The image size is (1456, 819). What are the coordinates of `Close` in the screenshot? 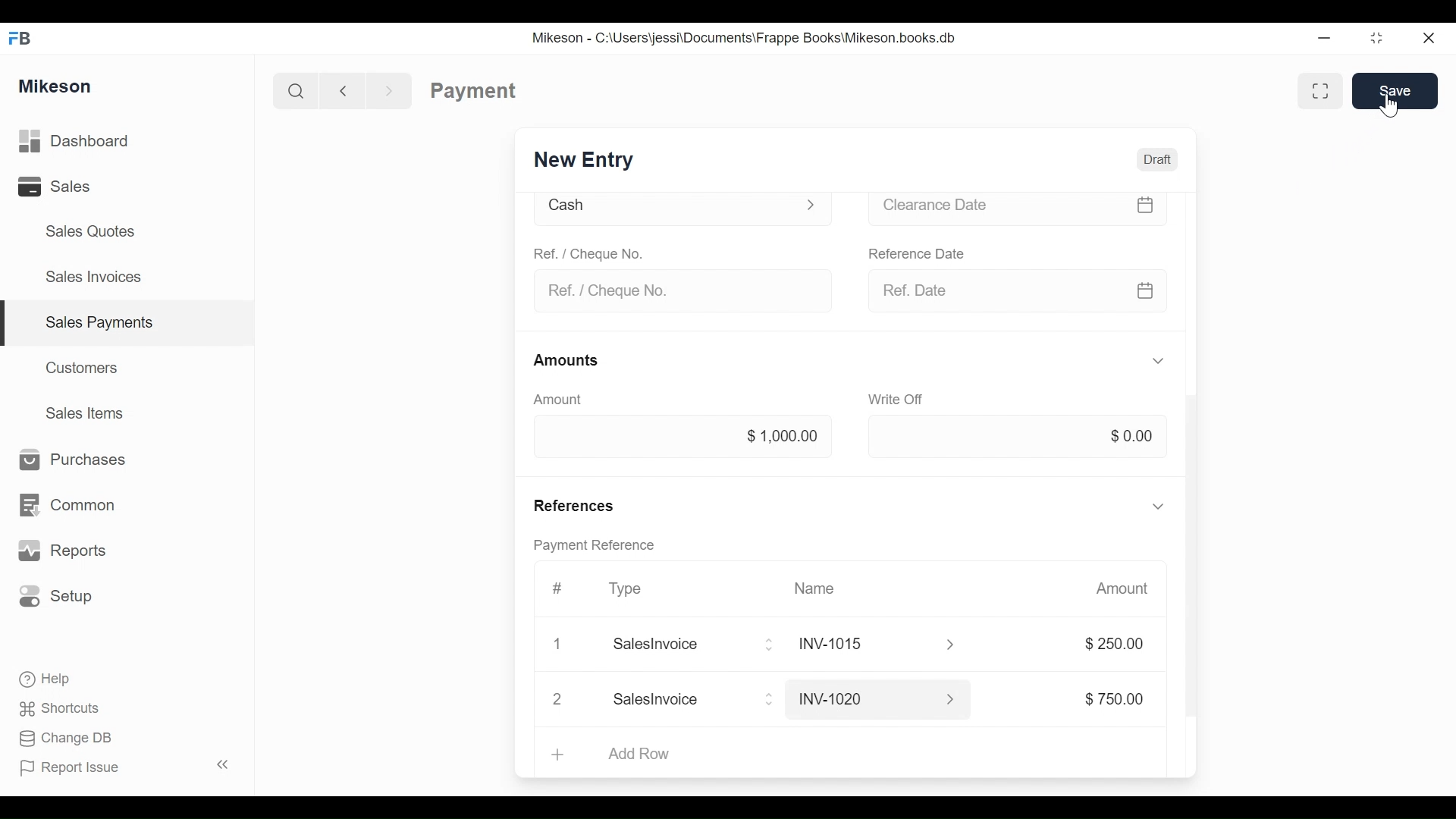 It's located at (1426, 36).